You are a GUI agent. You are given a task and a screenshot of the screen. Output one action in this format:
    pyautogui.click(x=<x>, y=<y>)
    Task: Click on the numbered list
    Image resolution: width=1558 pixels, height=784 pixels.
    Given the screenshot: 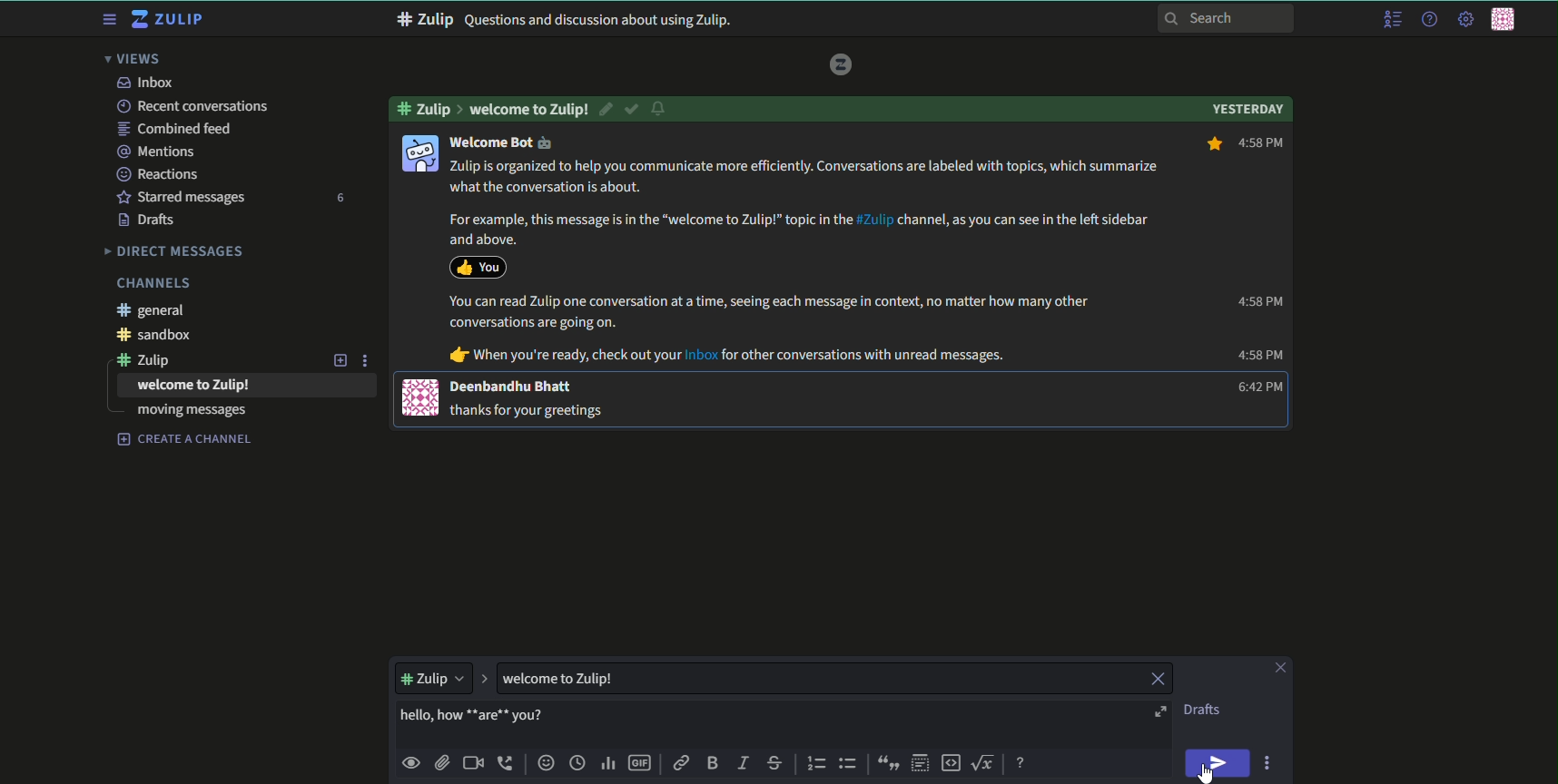 What is the action you would take?
    pyautogui.click(x=817, y=763)
    